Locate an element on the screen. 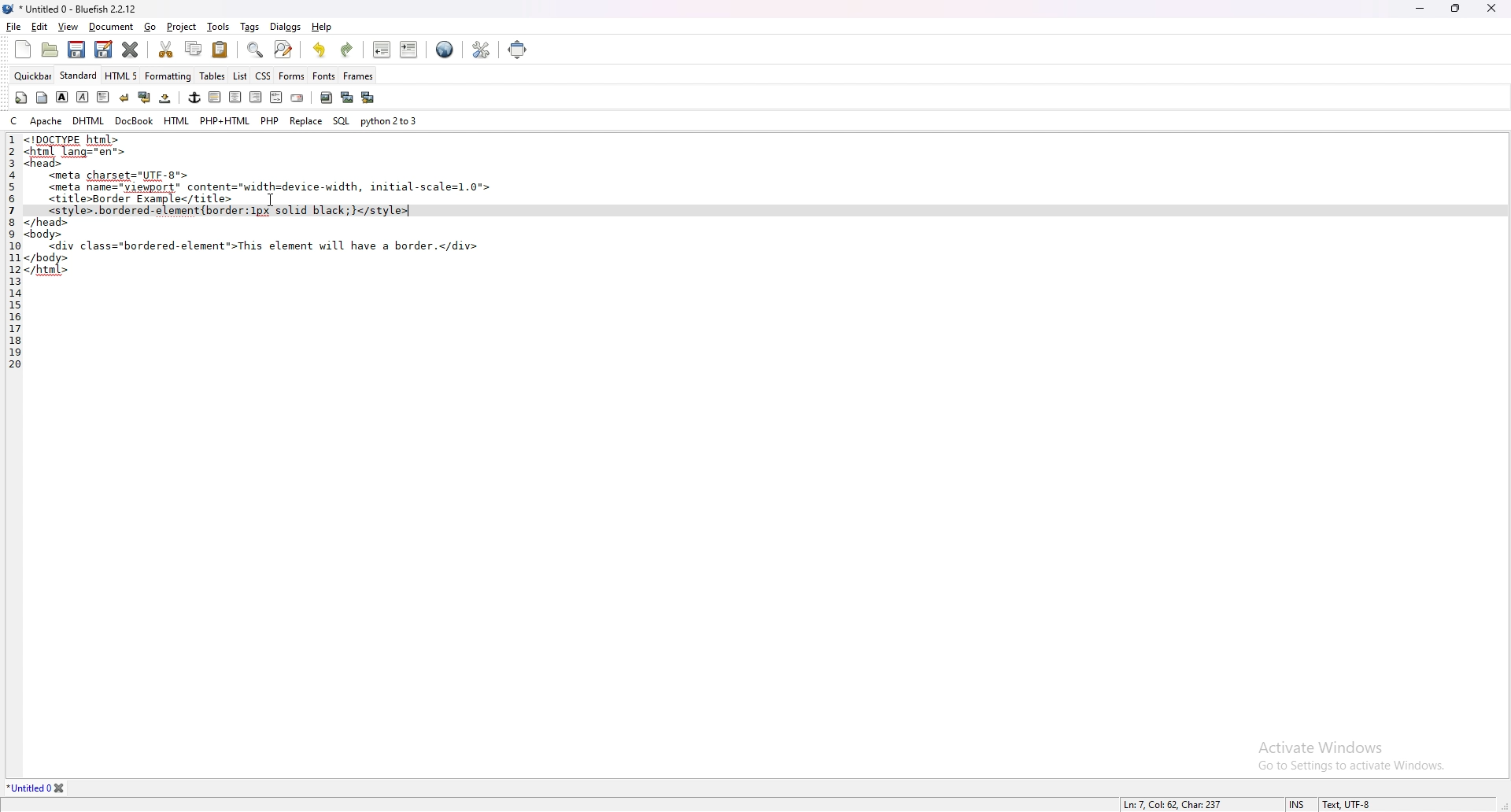  tools is located at coordinates (218, 27).